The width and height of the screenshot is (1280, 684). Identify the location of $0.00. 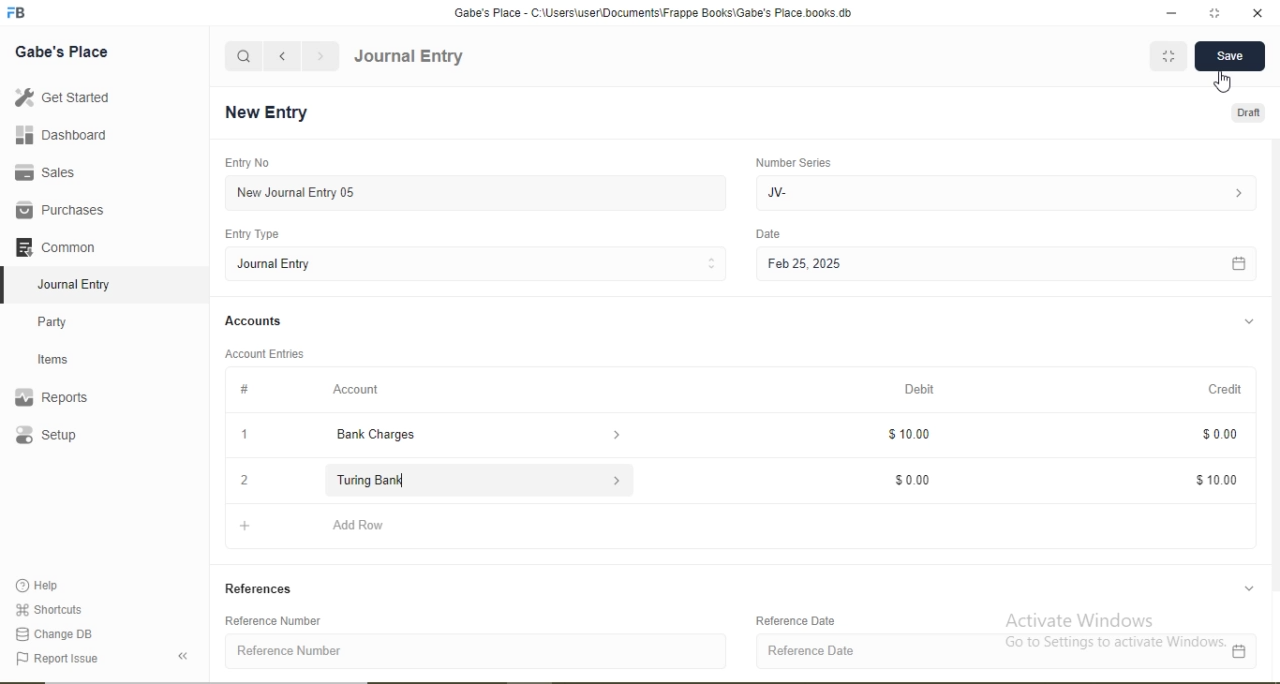
(1217, 434).